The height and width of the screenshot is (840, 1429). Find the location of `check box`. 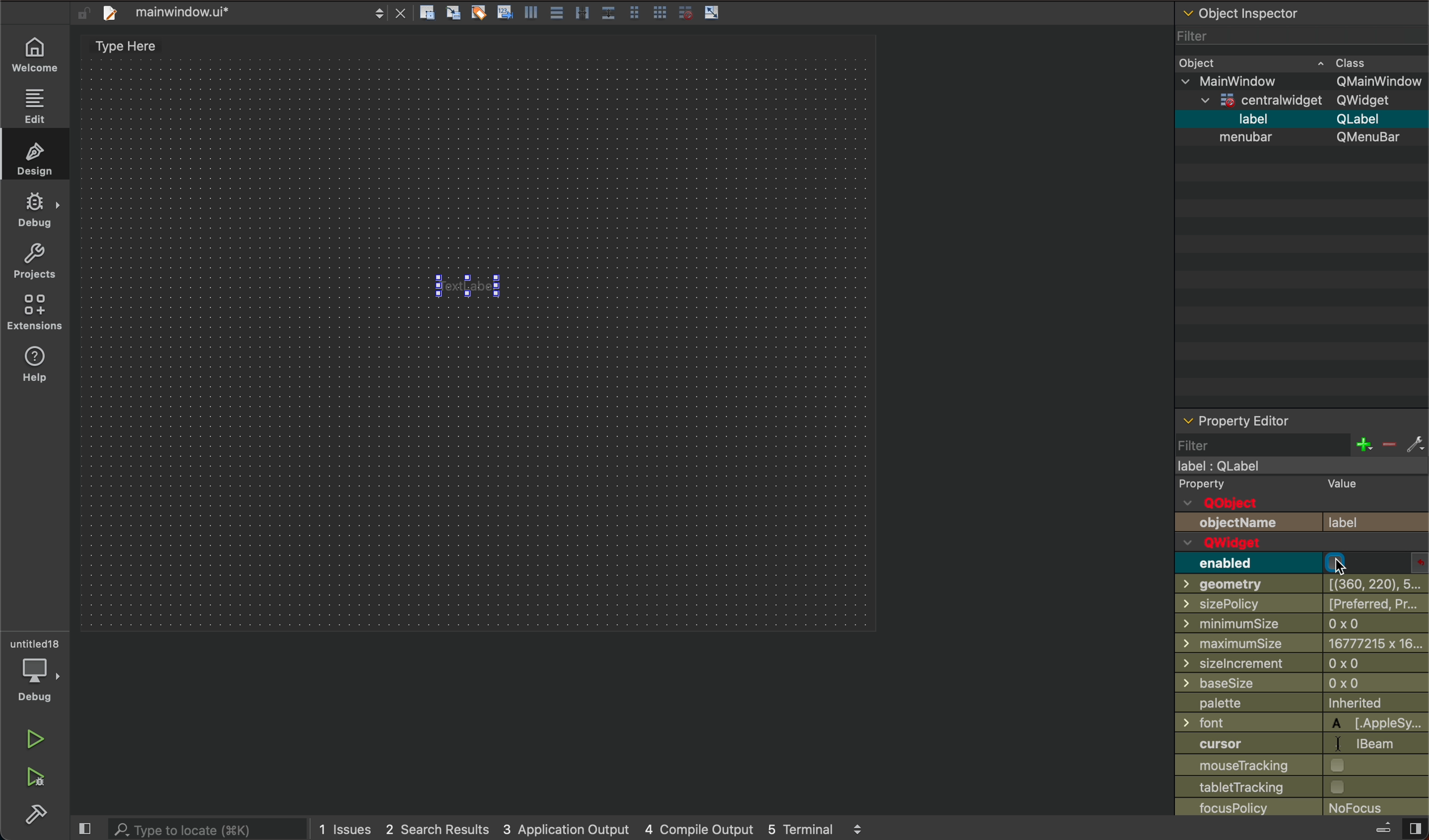

check box is located at coordinates (1342, 563).